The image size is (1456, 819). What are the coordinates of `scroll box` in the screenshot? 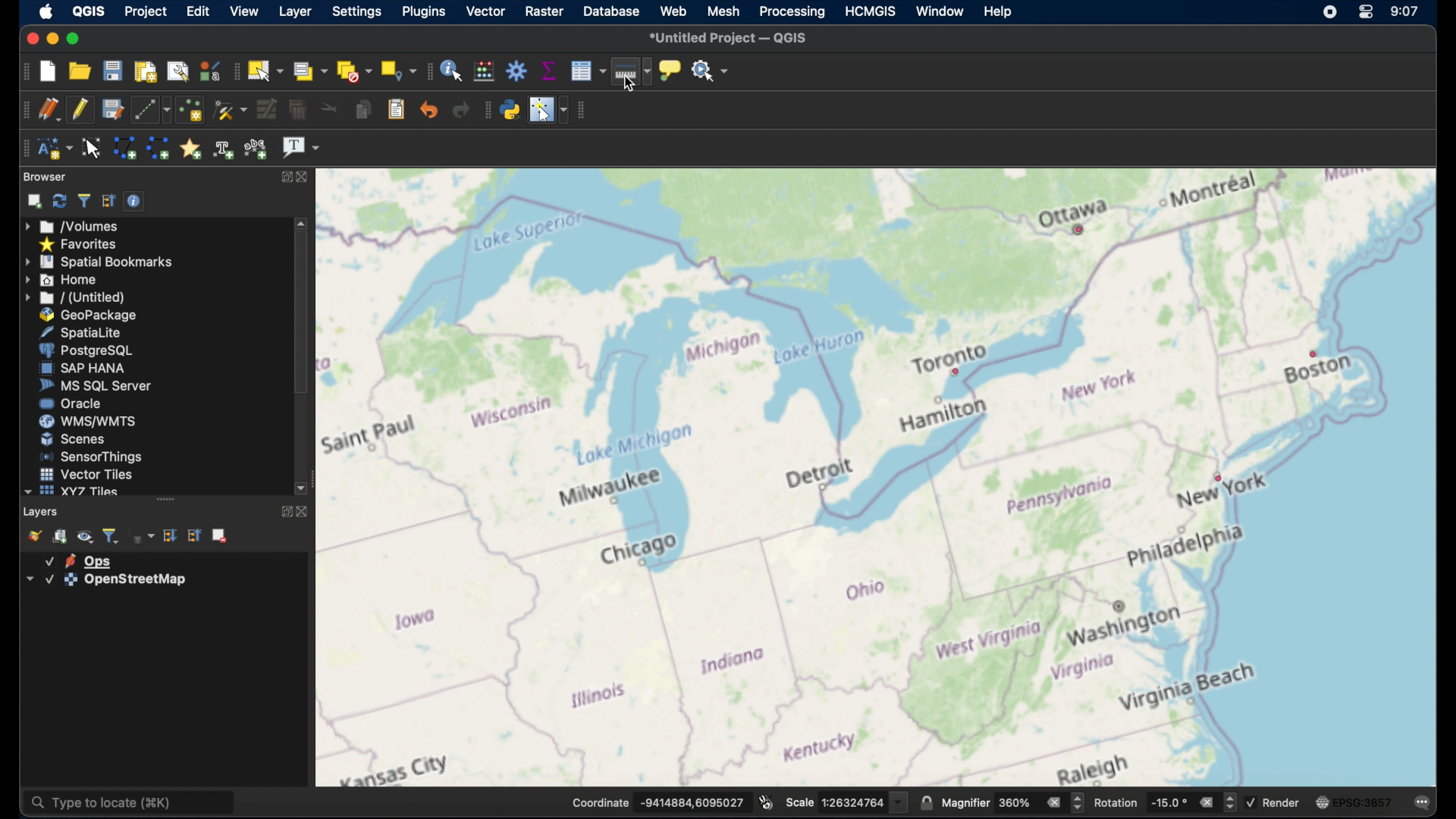 It's located at (301, 316).